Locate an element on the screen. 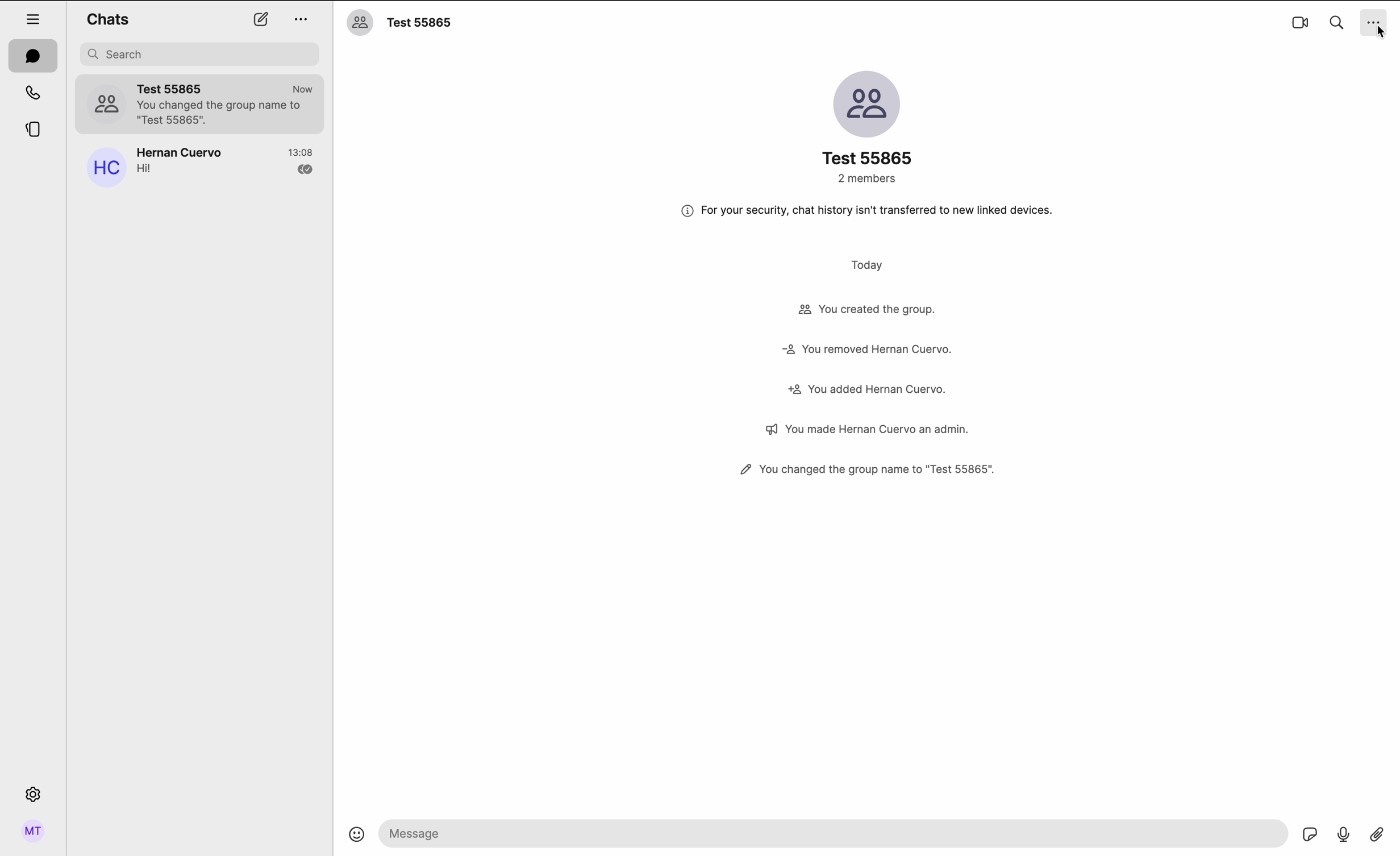 The image size is (1400, 856). hide tabs is located at coordinates (33, 18).